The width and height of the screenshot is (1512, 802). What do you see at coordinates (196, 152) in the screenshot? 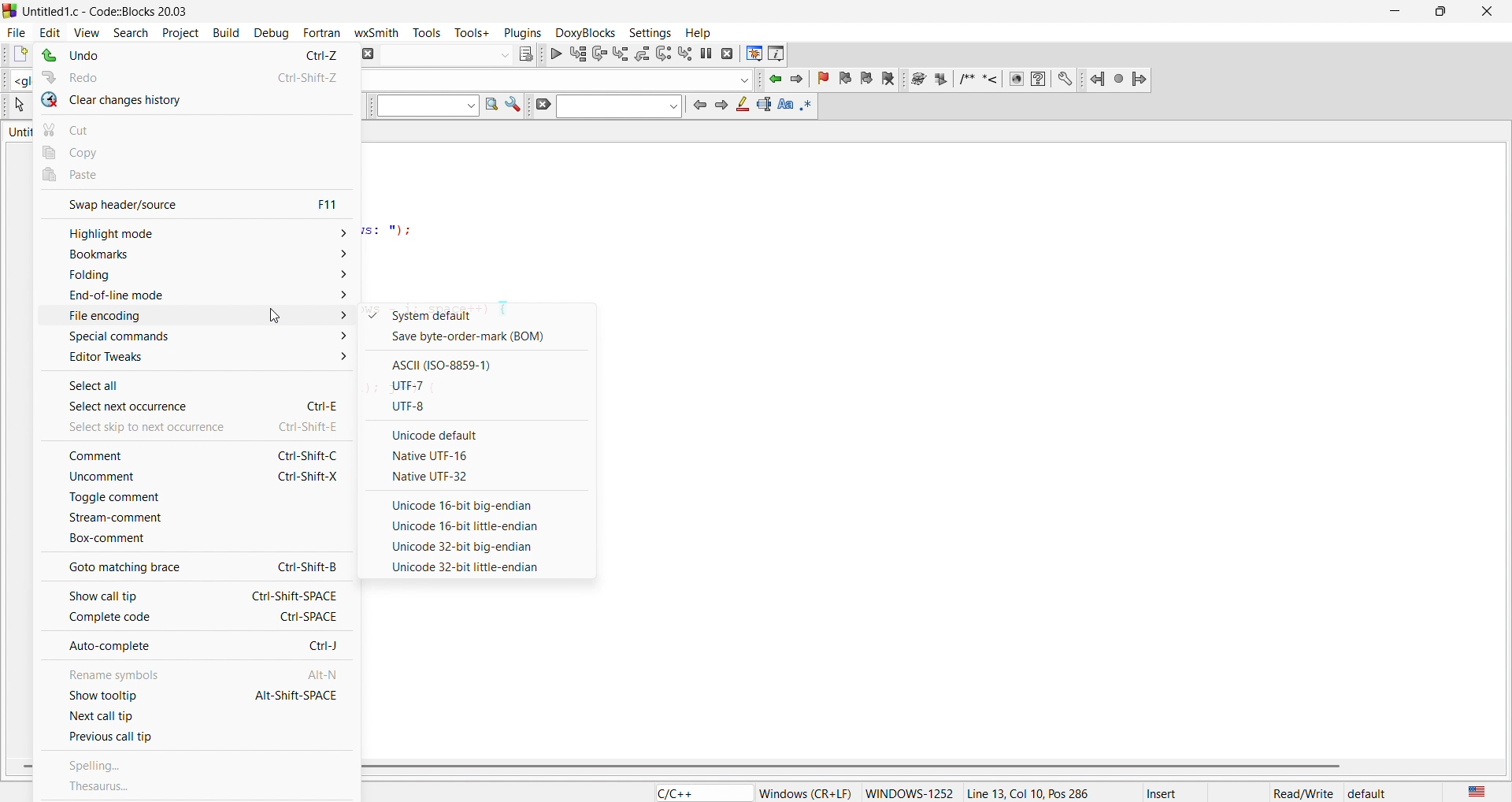
I see `copy` at bounding box center [196, 152].